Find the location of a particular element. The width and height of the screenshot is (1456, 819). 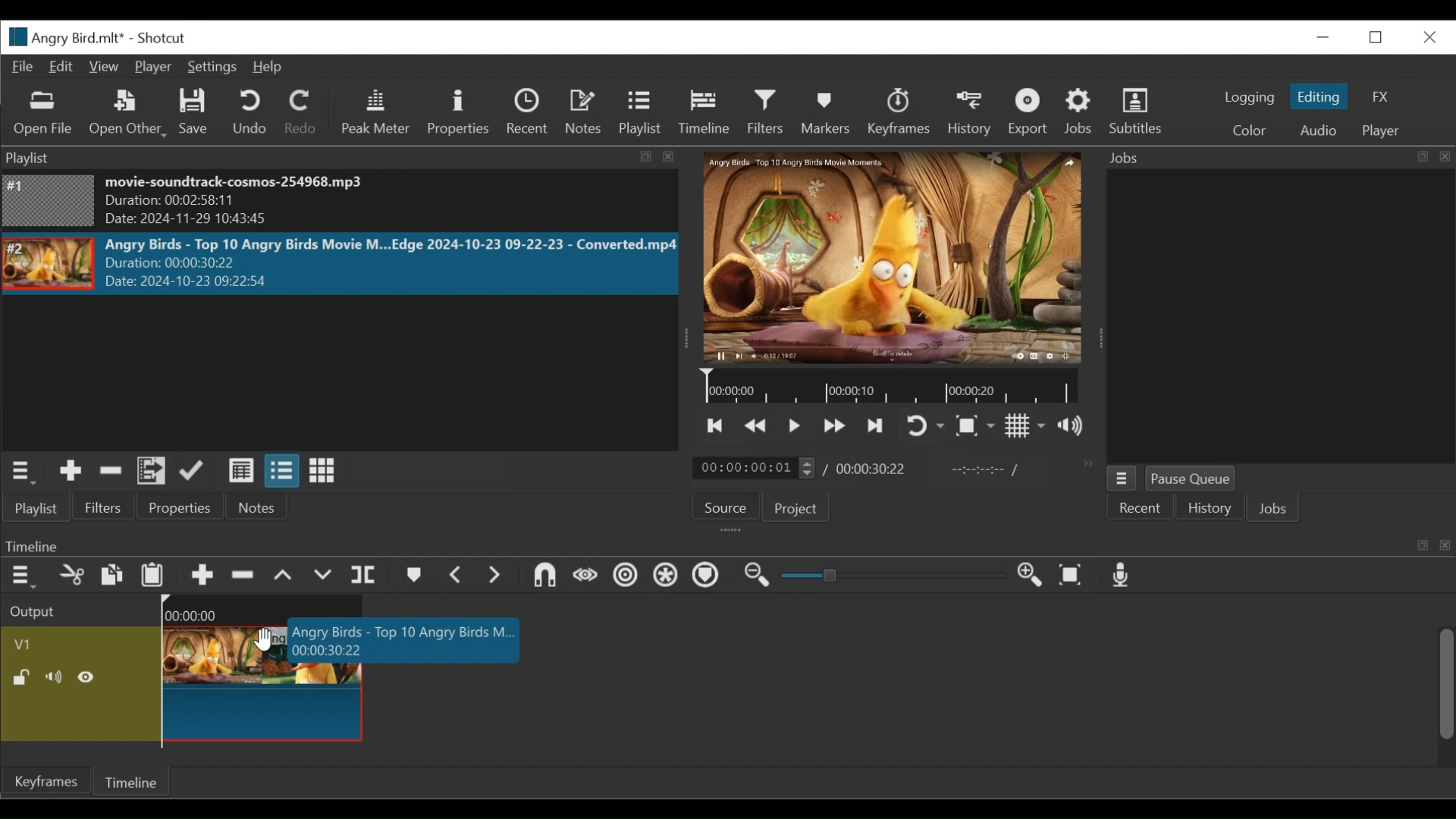

Lift is located at coordinates (285, 576).